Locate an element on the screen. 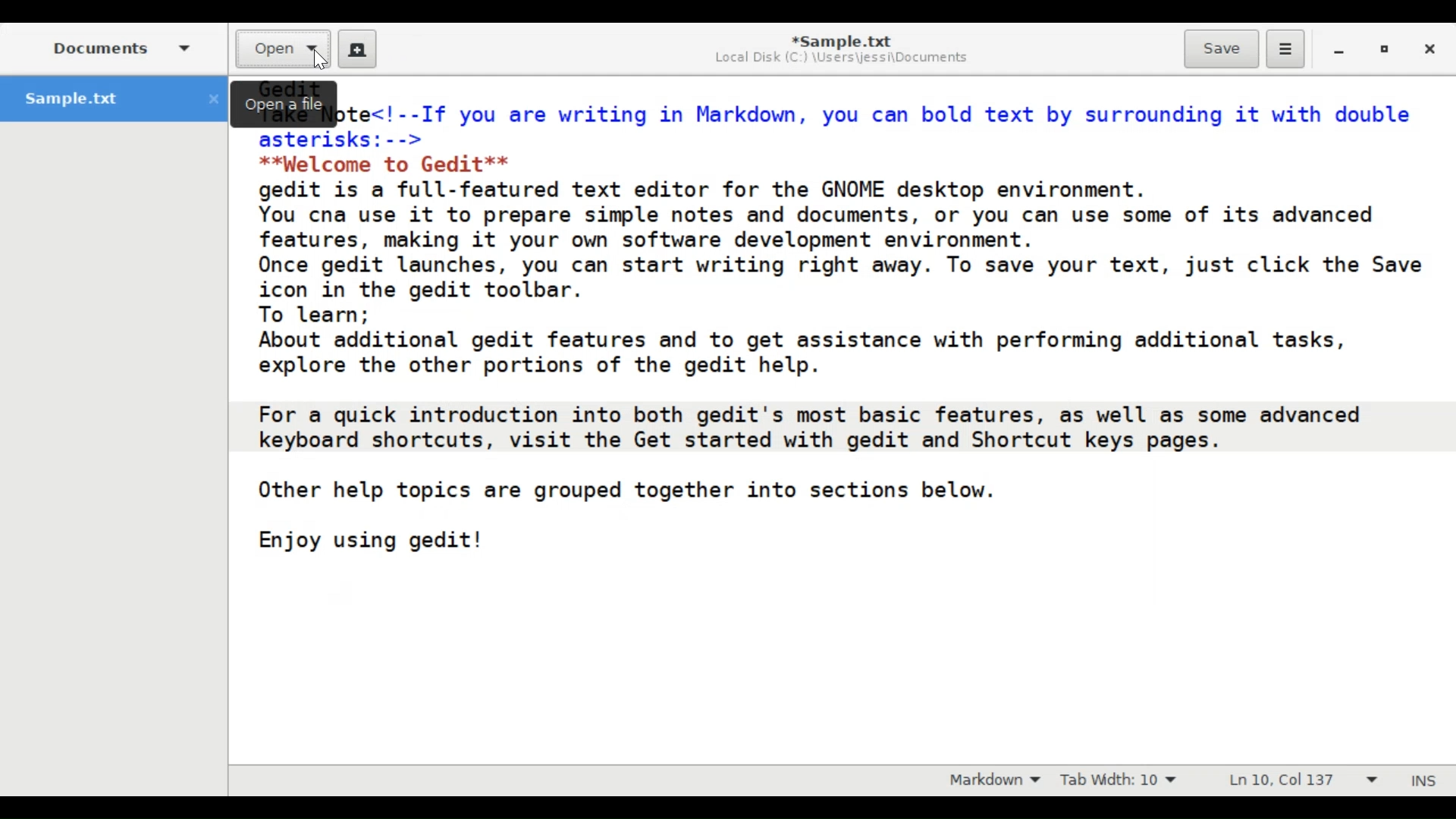  Create a new document is located at coordinates (358, 48).